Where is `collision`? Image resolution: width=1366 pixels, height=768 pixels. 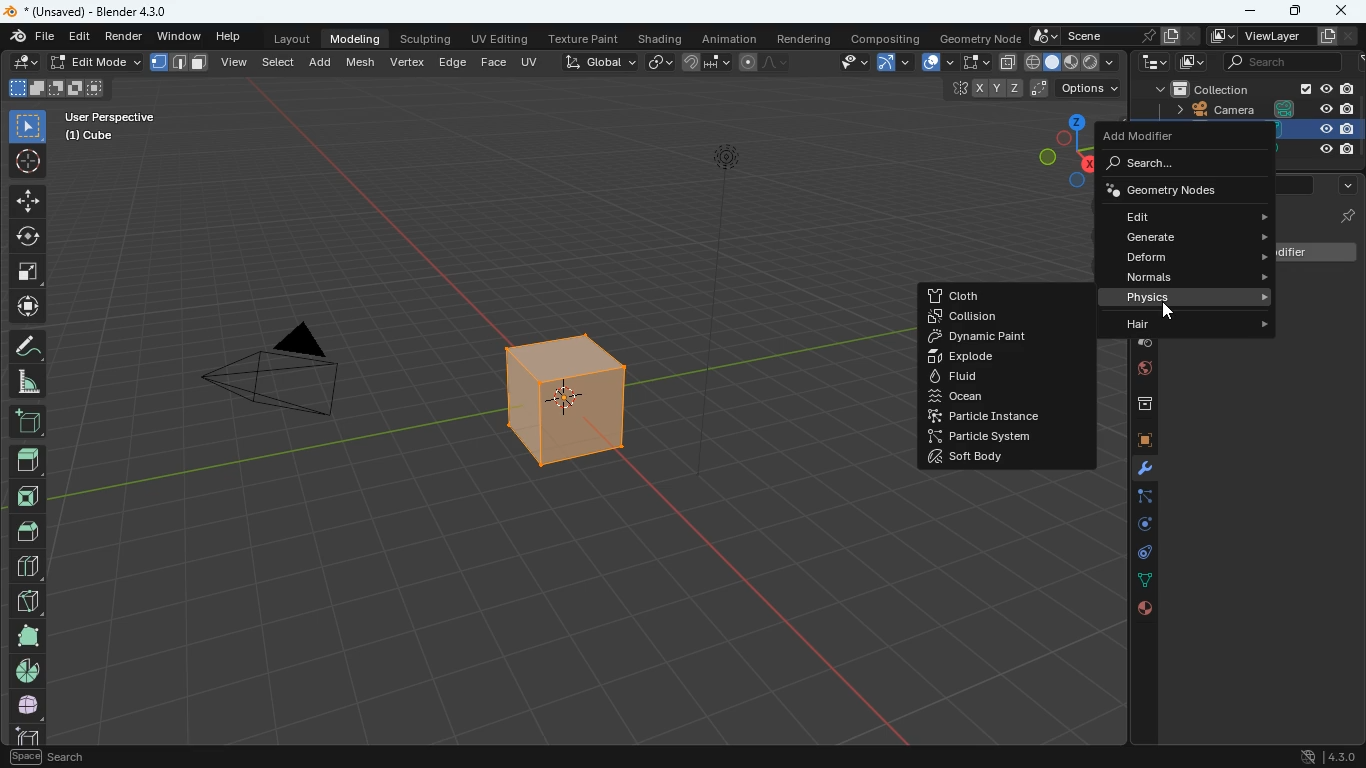 collision is located at coordinates (990, 318).